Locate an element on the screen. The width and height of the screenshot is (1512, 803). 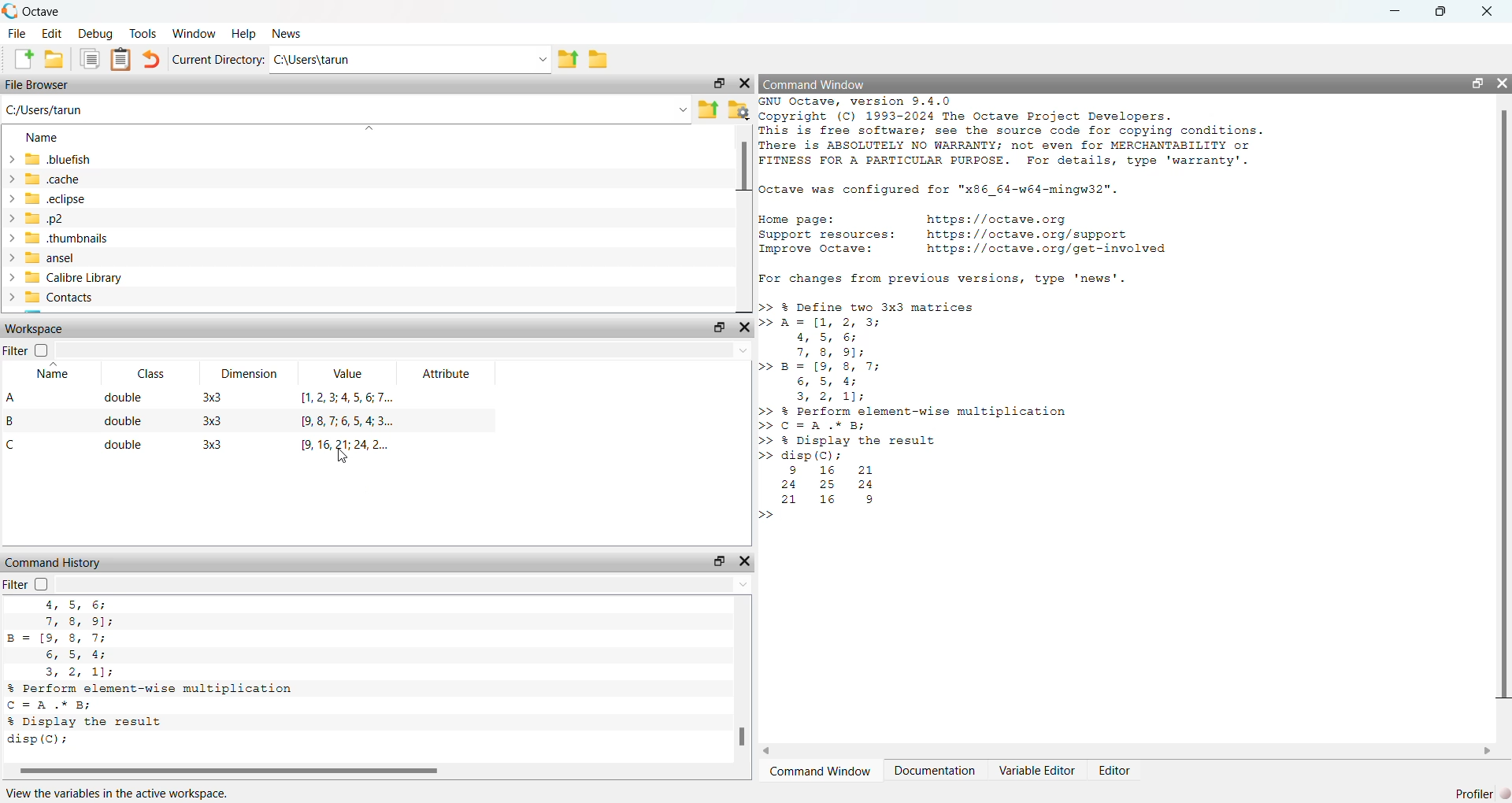
Name is located at coordinates (43, 137).